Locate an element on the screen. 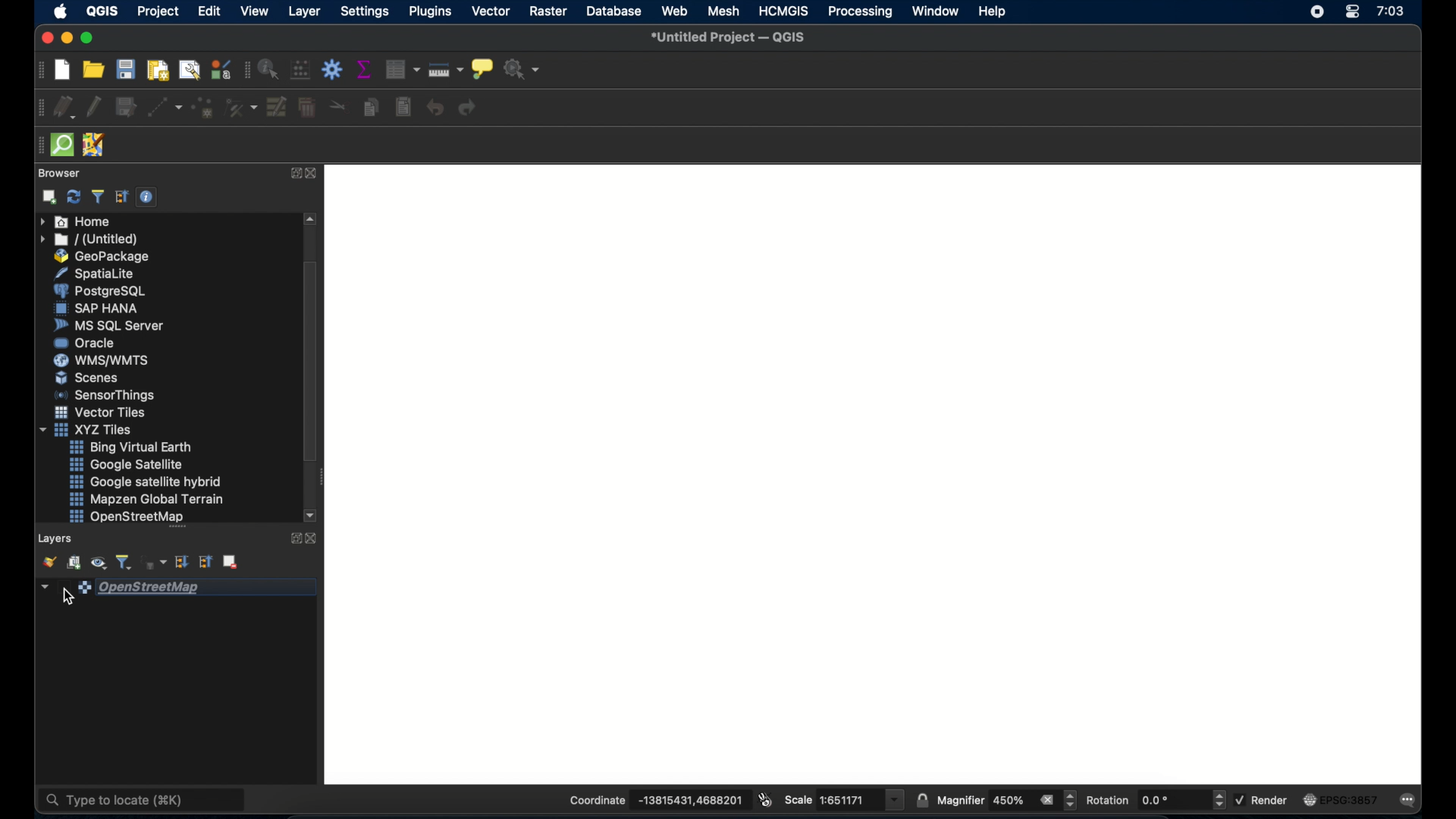 Image resolution: width=1456 pixels, height=819 pixels. delete. selected is located at coordinates (309, 110).